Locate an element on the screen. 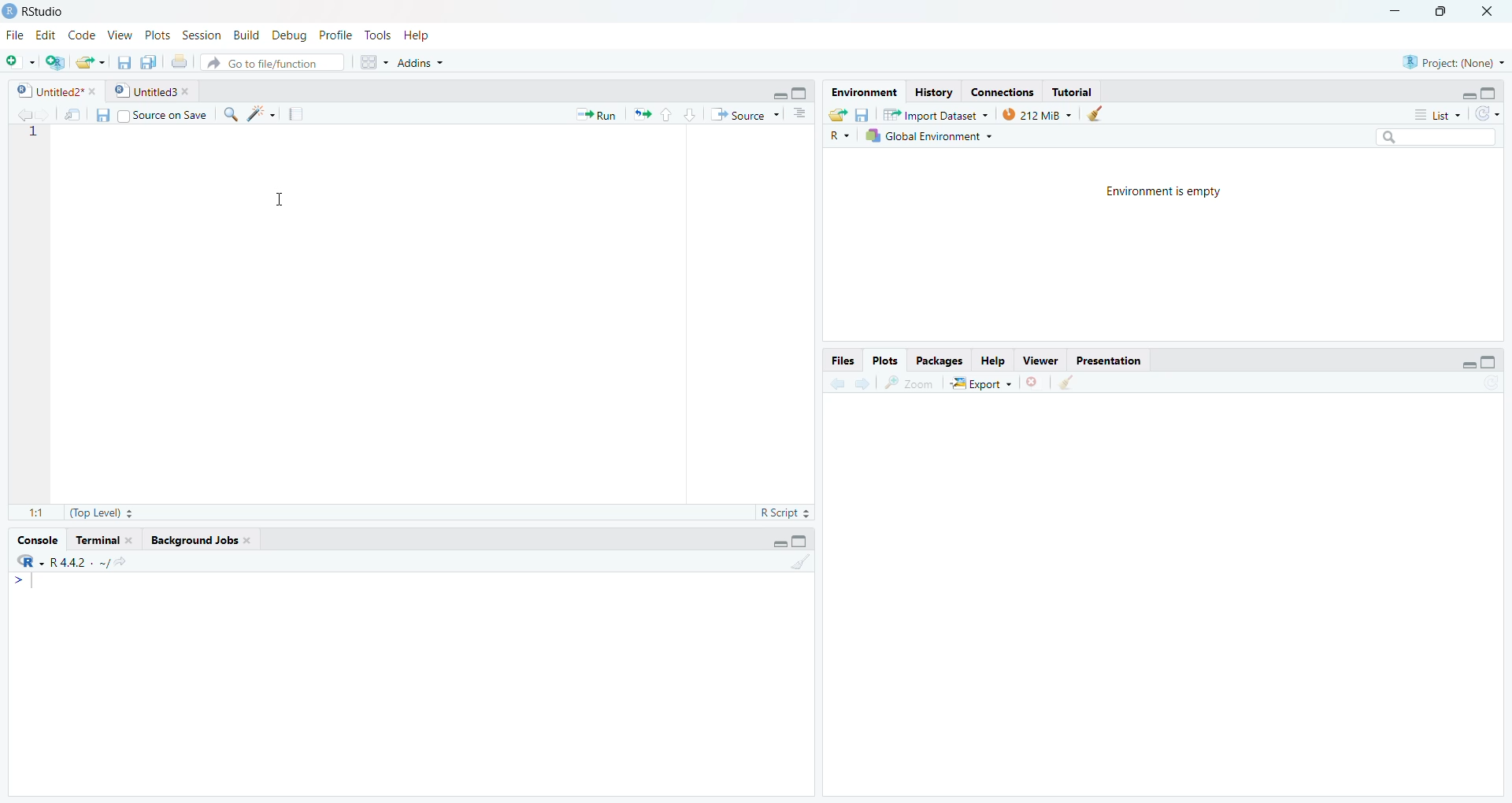 The width and height of the screenshot is (1512, 803). save is located at coordinates (864, 114).